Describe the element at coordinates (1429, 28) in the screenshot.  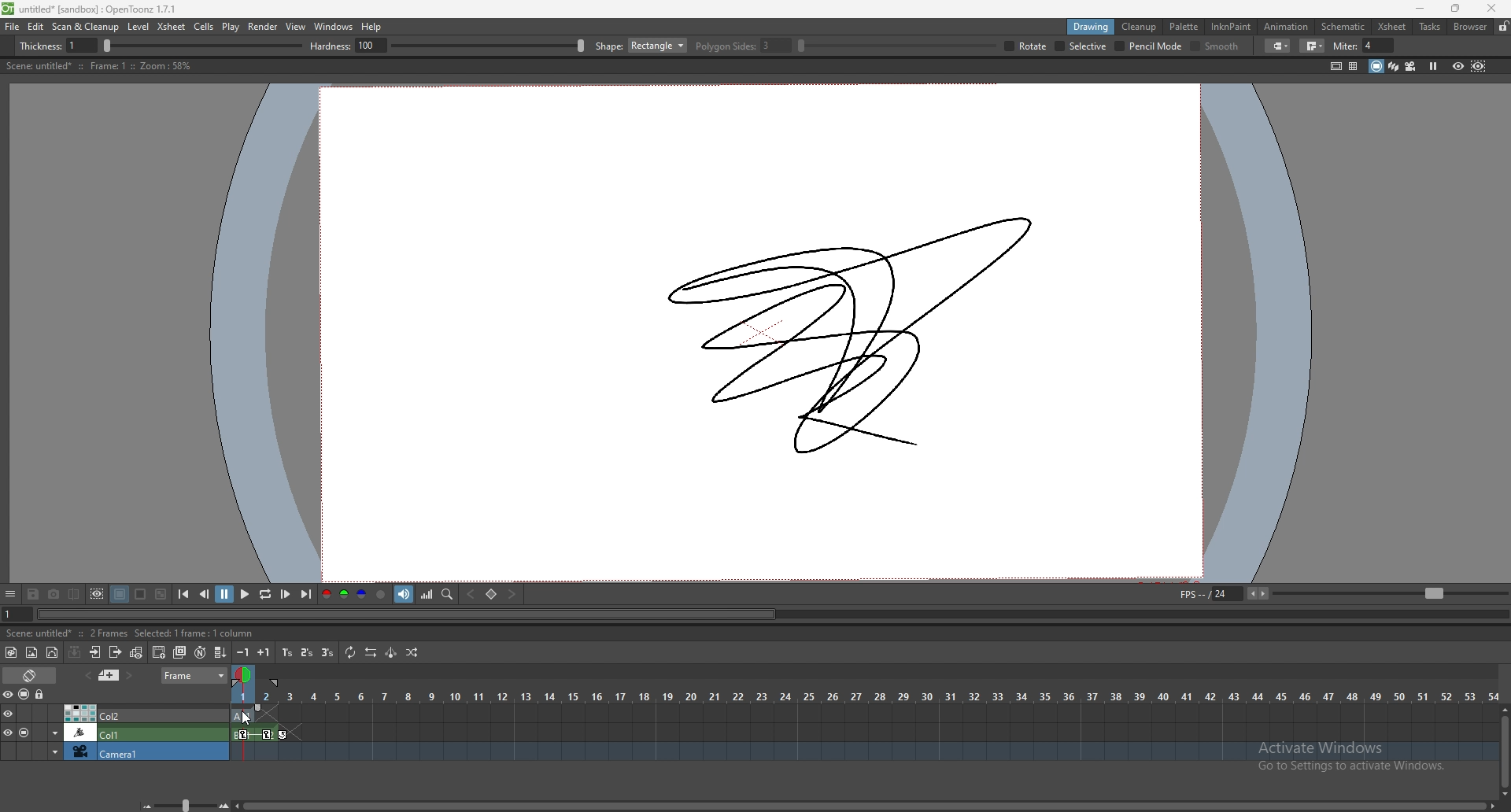
I see `tasks` at that location.